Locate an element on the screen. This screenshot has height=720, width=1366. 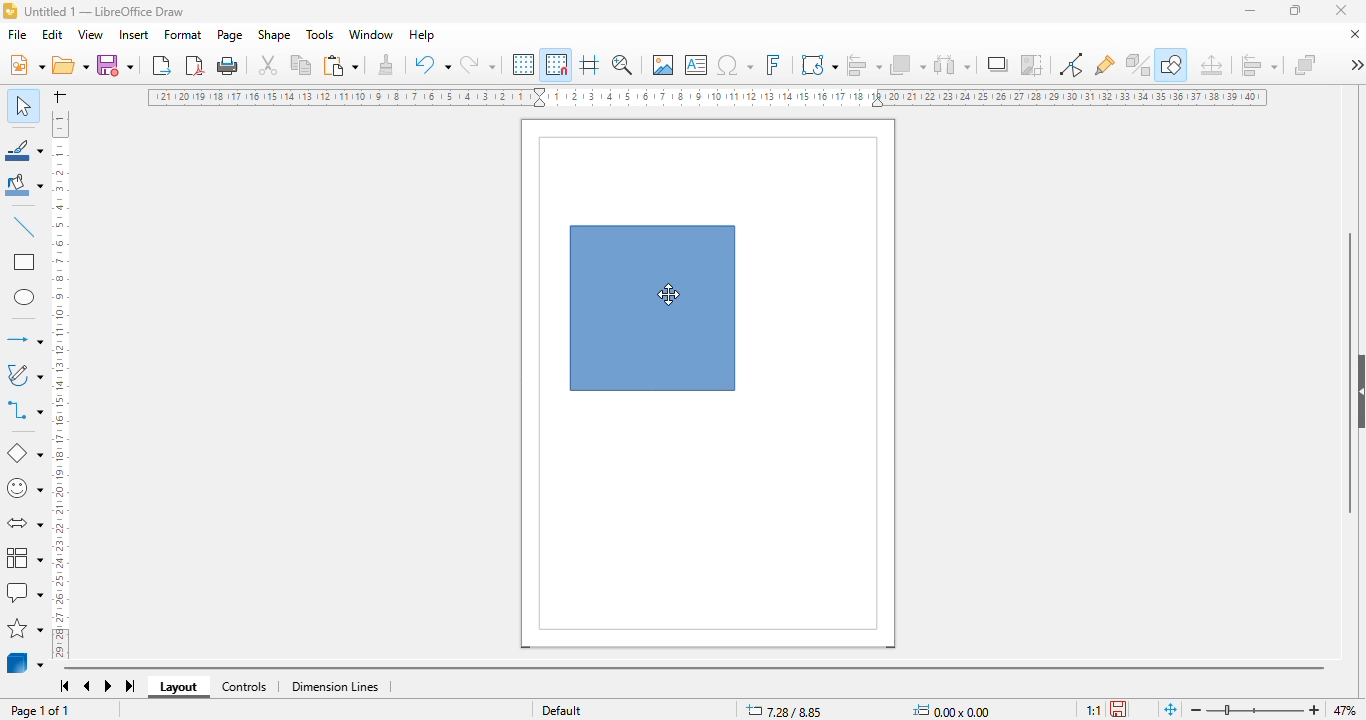
insert special characters is located at coordinates (735, 65).